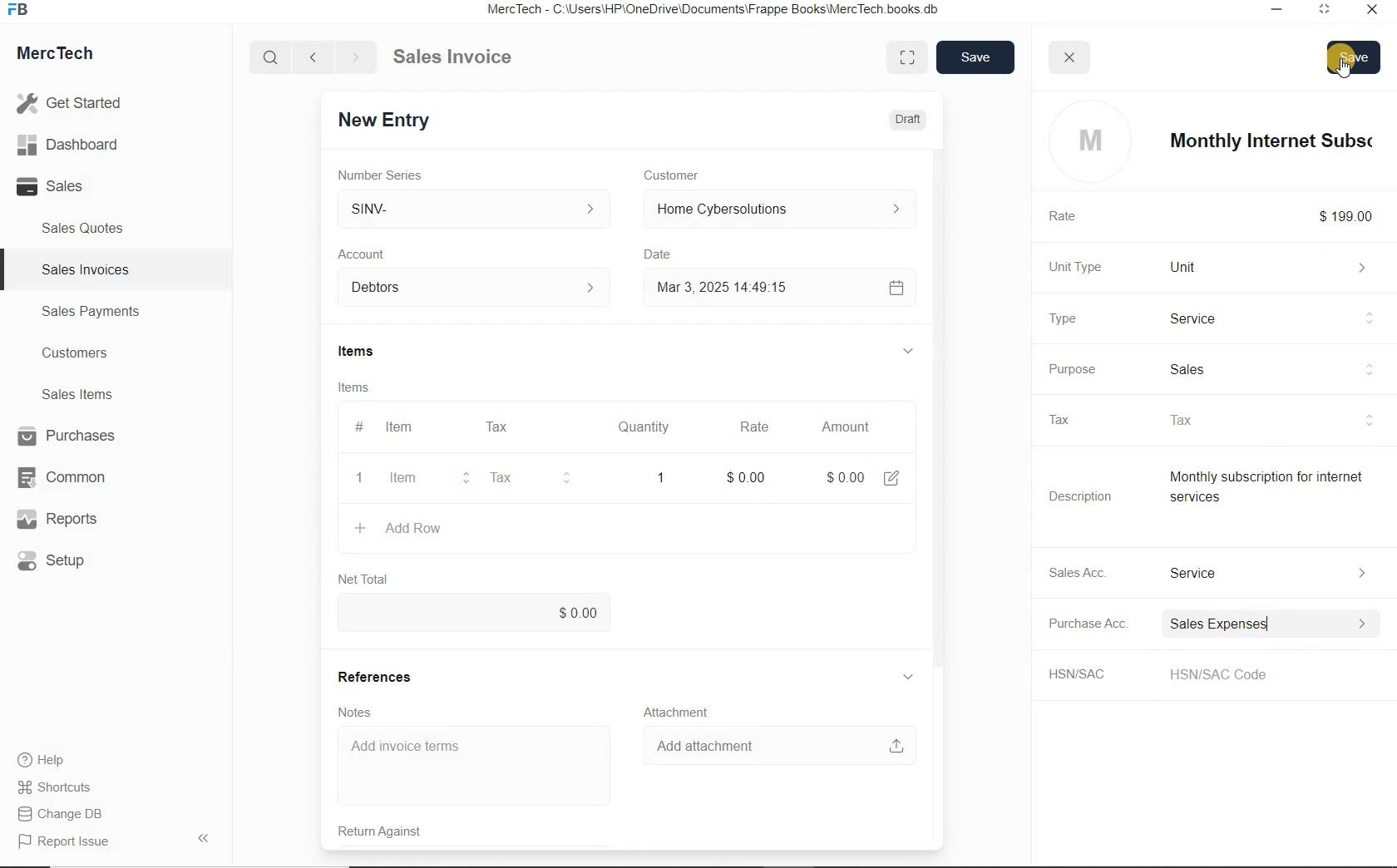 Image resolution: width=1397 pixels, height=868 pixels. I want to click on Items, so click(370, 353).